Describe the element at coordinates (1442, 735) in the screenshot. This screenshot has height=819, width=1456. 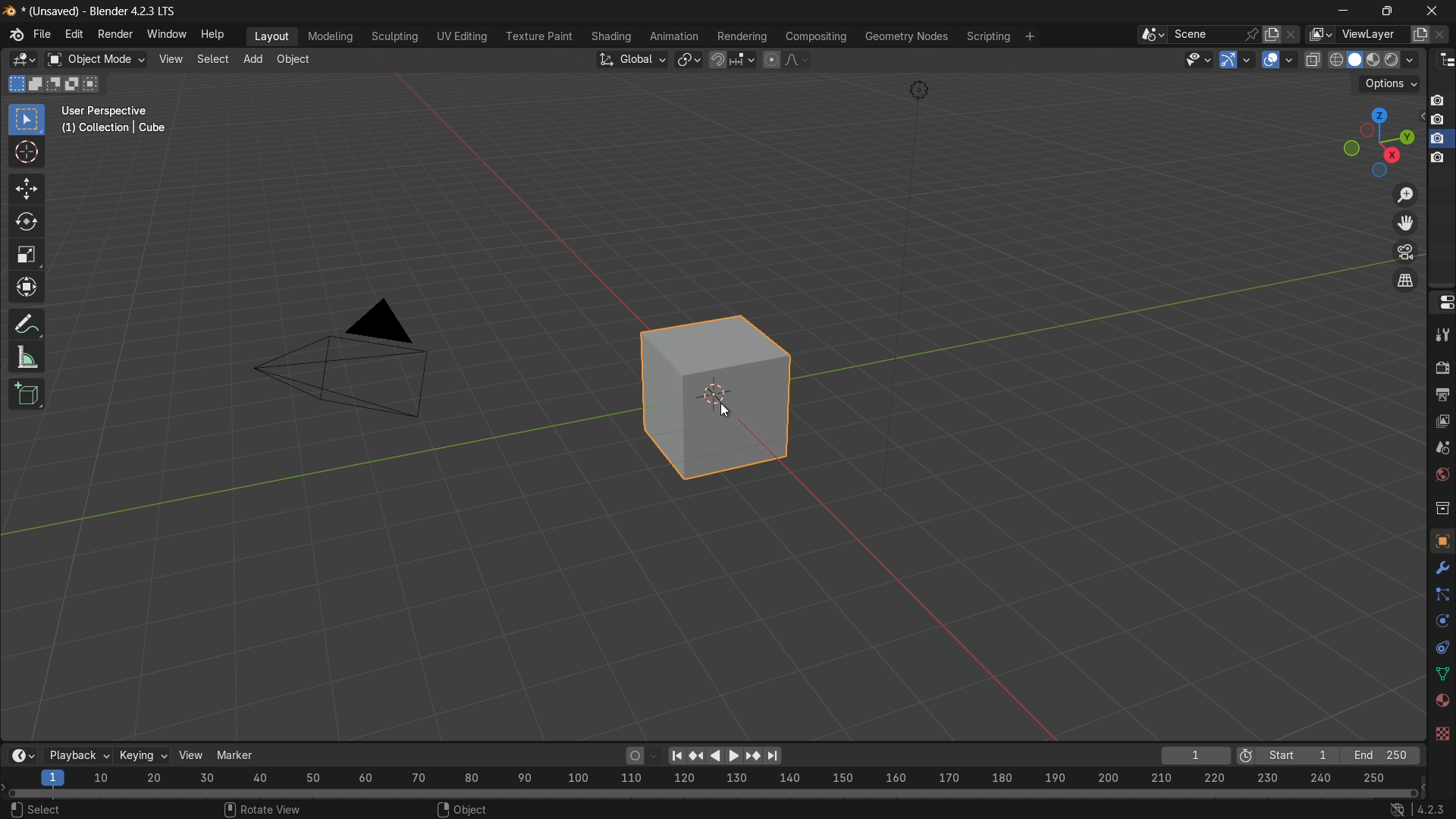
I see `texture` at that location.